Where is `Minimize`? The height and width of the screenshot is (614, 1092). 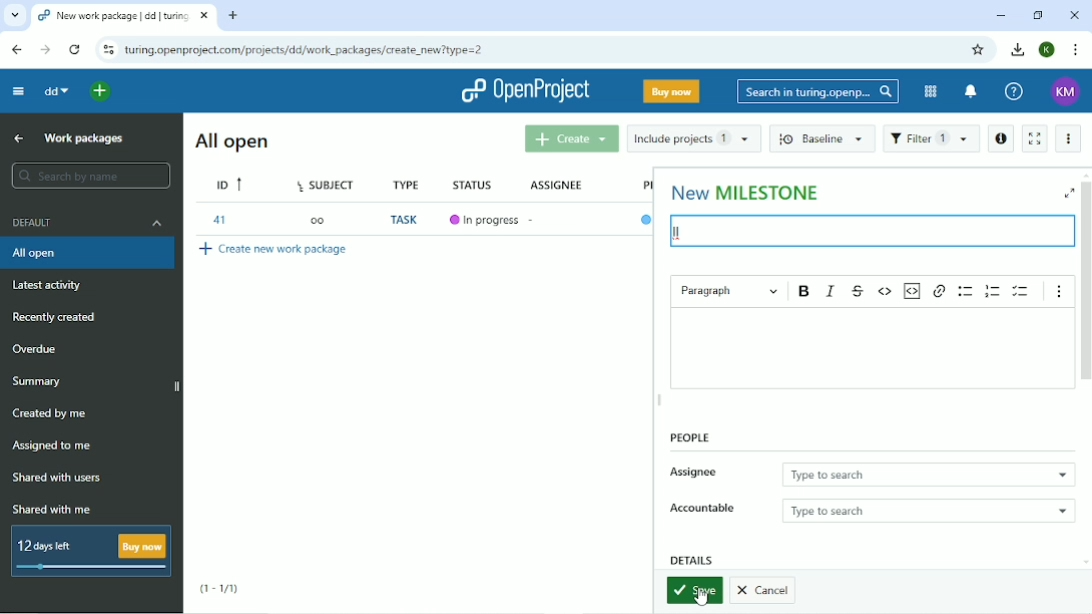
Minimize is located at coordinates (1000, 17).